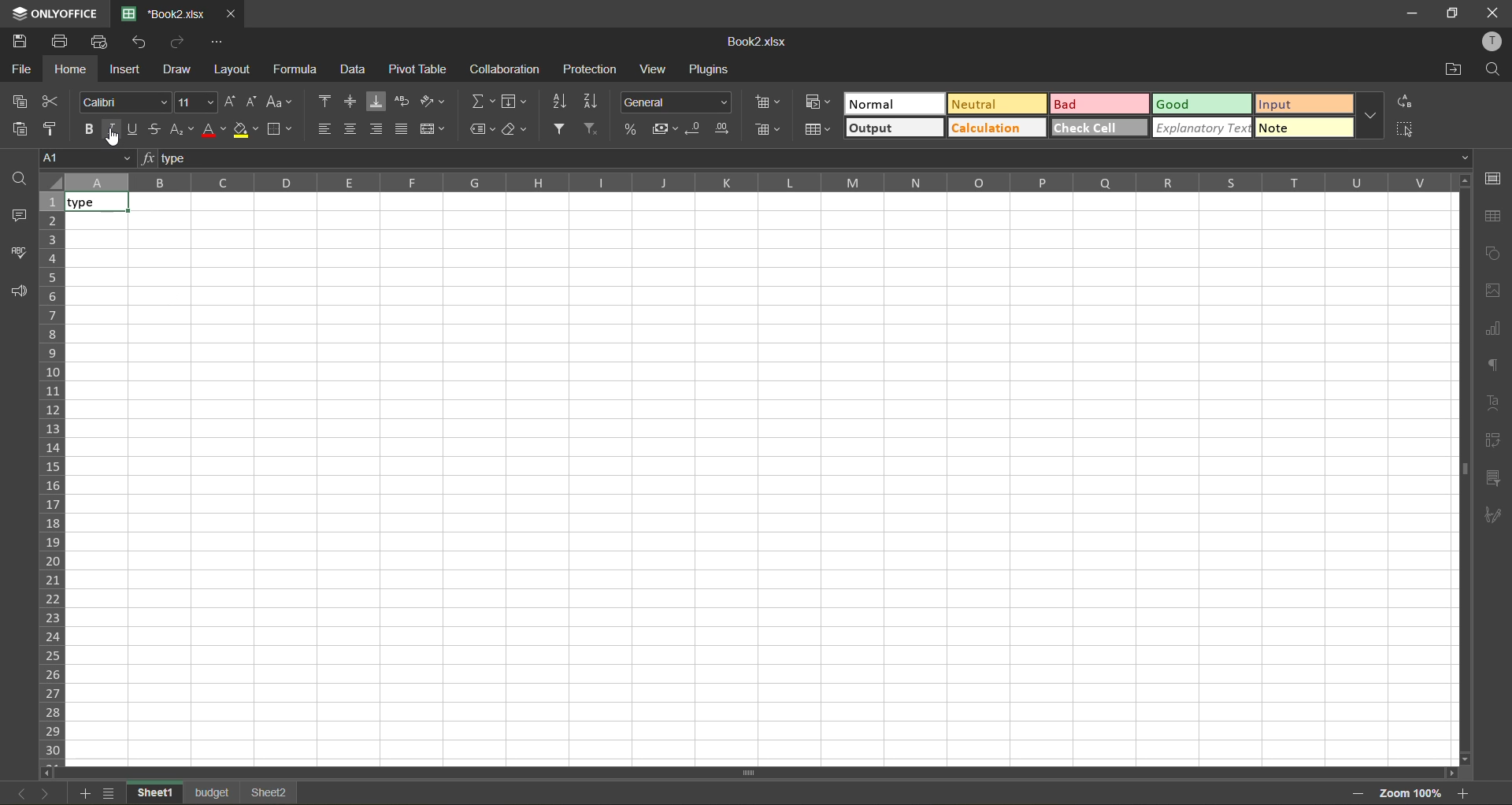  I want to click on images, so click(1493, 289).